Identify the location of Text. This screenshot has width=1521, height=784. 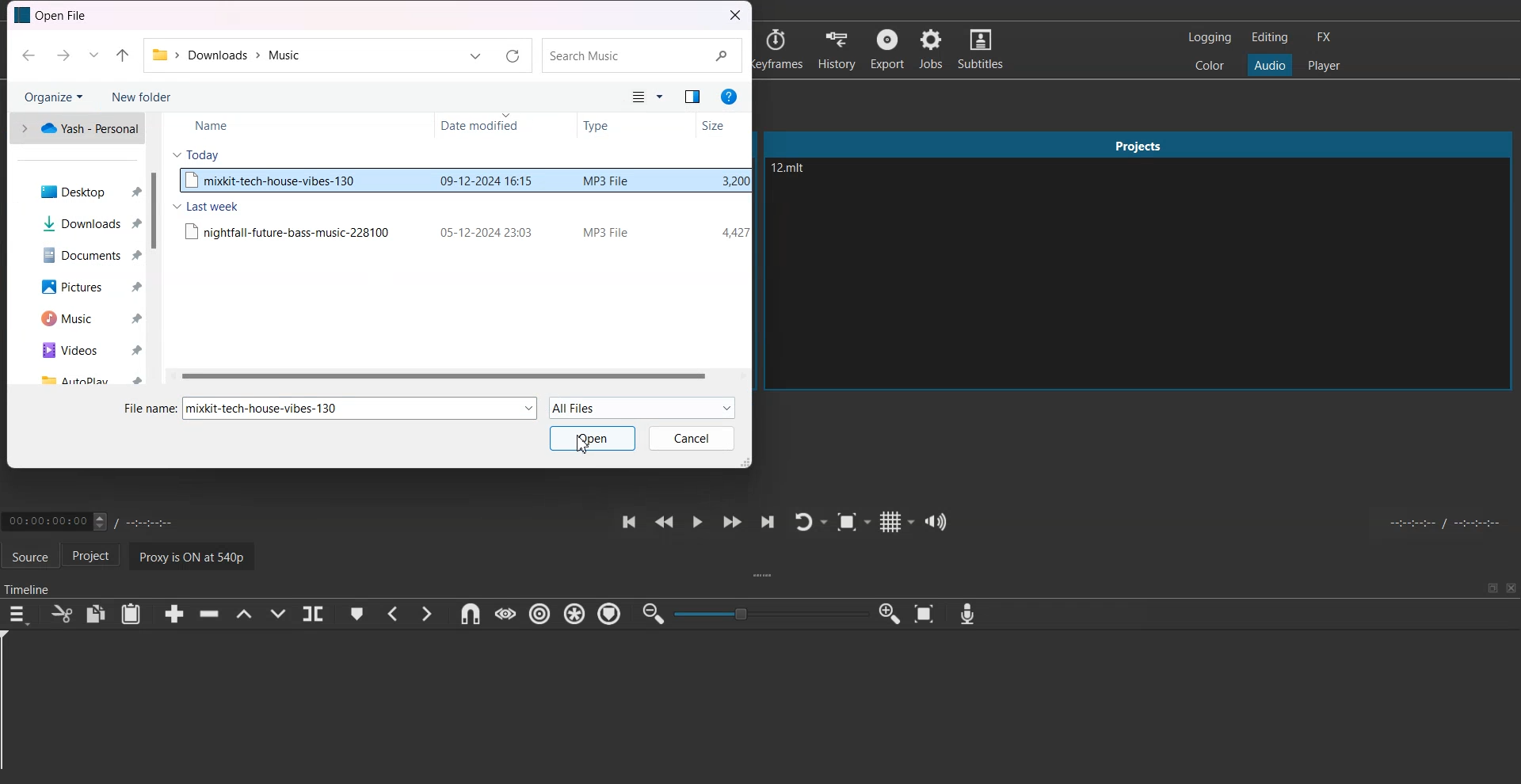
(792, 169).